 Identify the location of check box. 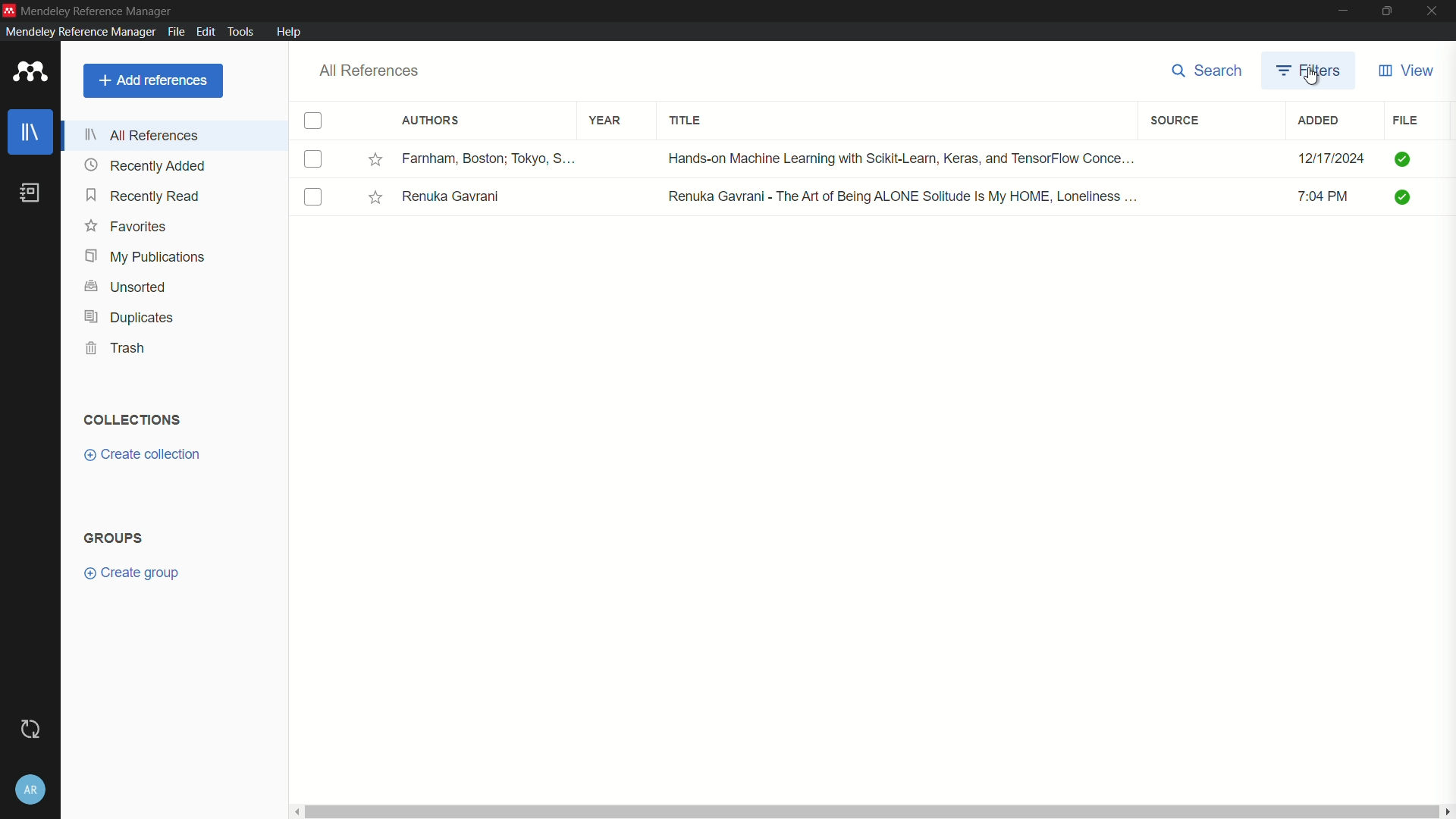
(315, 121).